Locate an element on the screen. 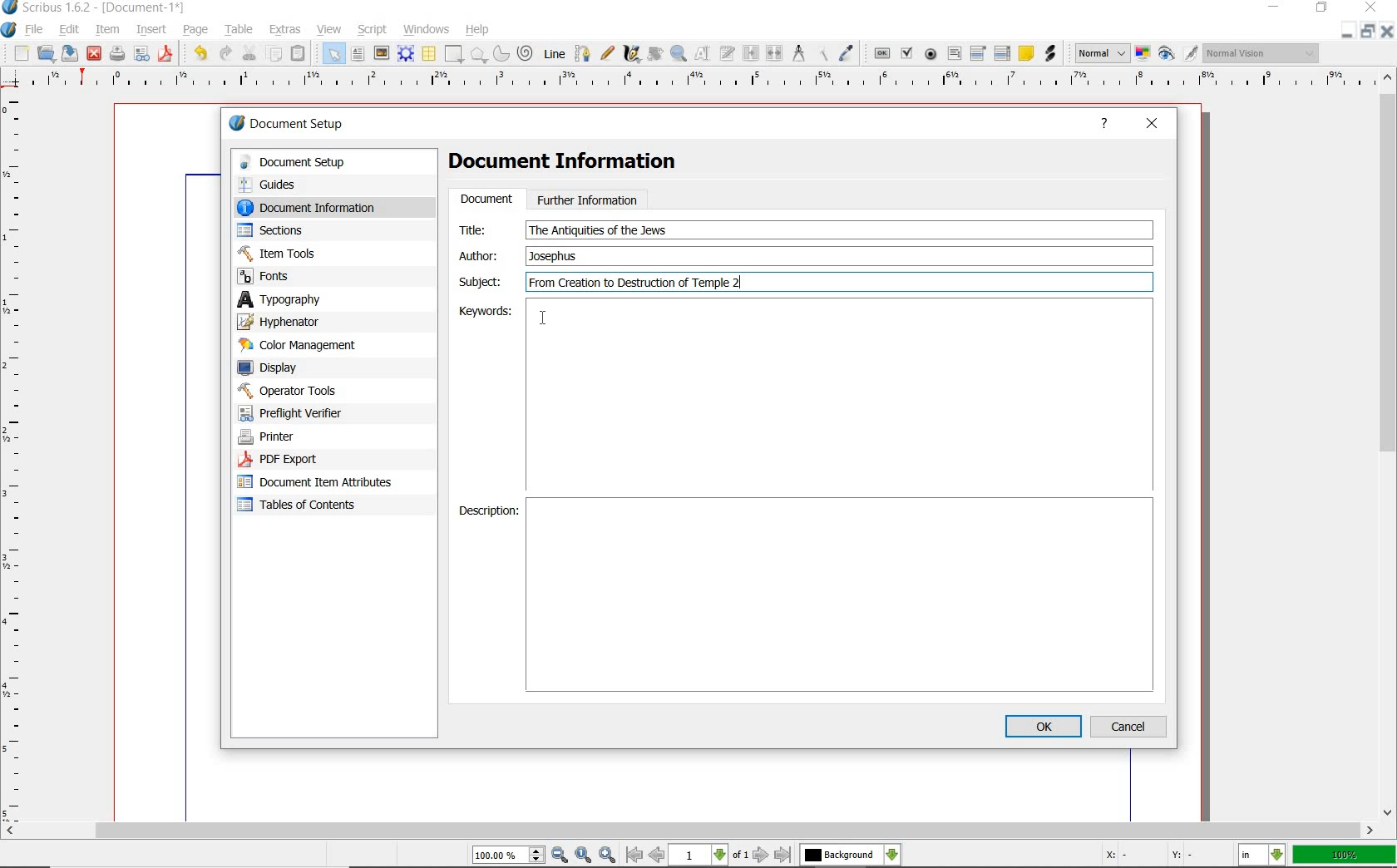 The image size is (1397, 868). minimize is located at coordinates (1349, 31).